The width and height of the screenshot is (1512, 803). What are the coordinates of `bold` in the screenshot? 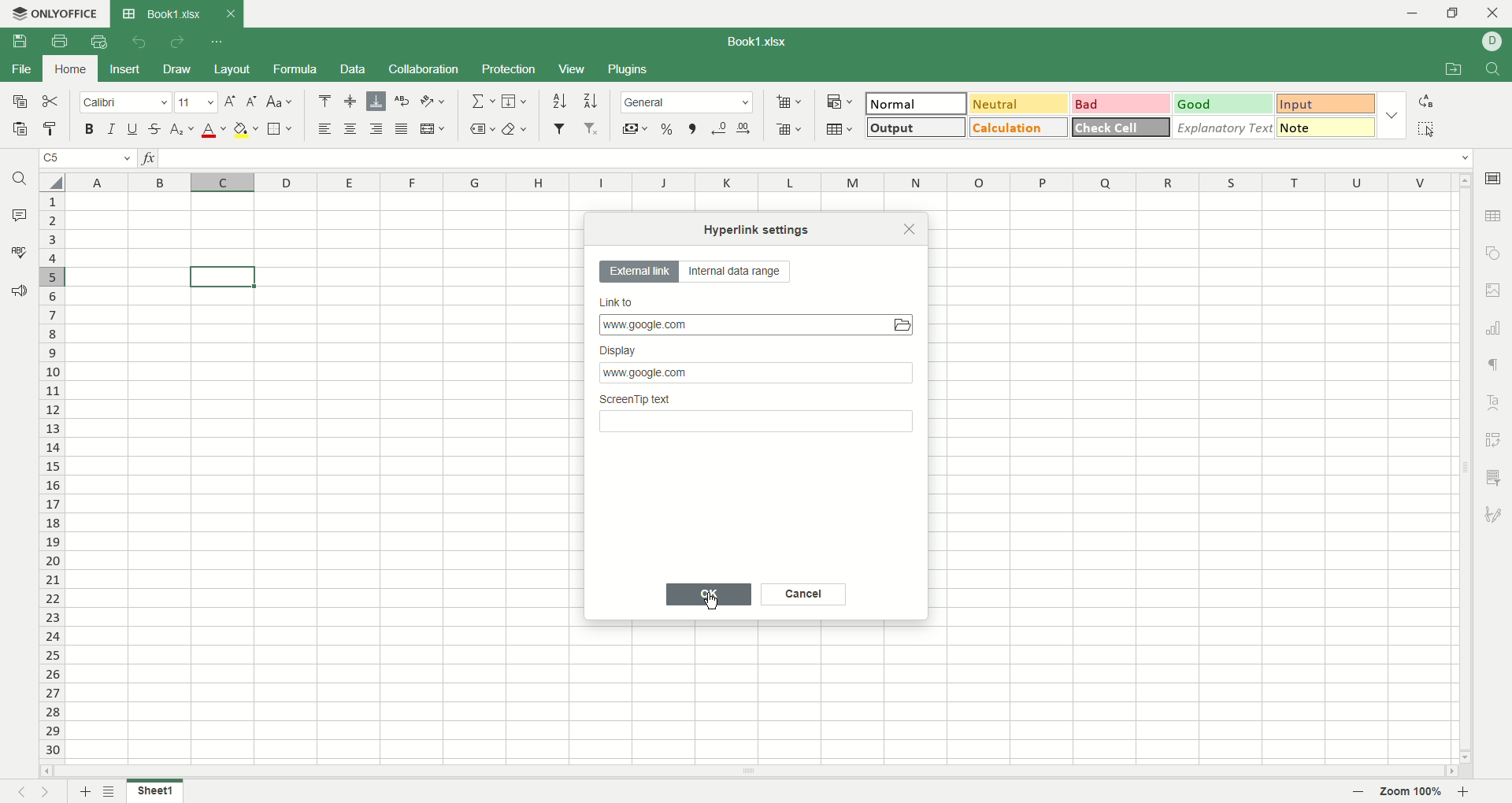 It's located at (93, 130).